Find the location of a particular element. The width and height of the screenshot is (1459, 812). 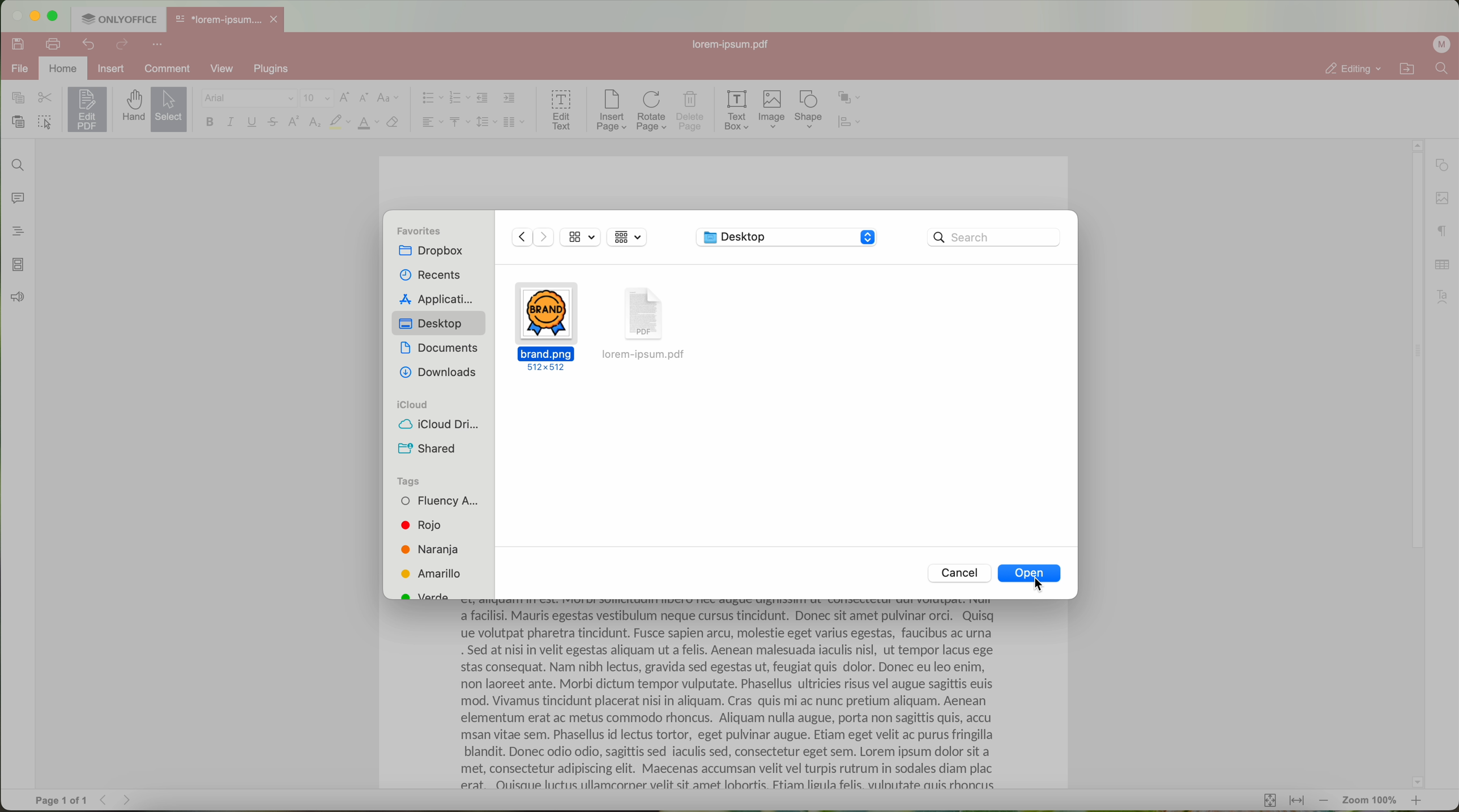

comment is located at coordinates (169, 70).